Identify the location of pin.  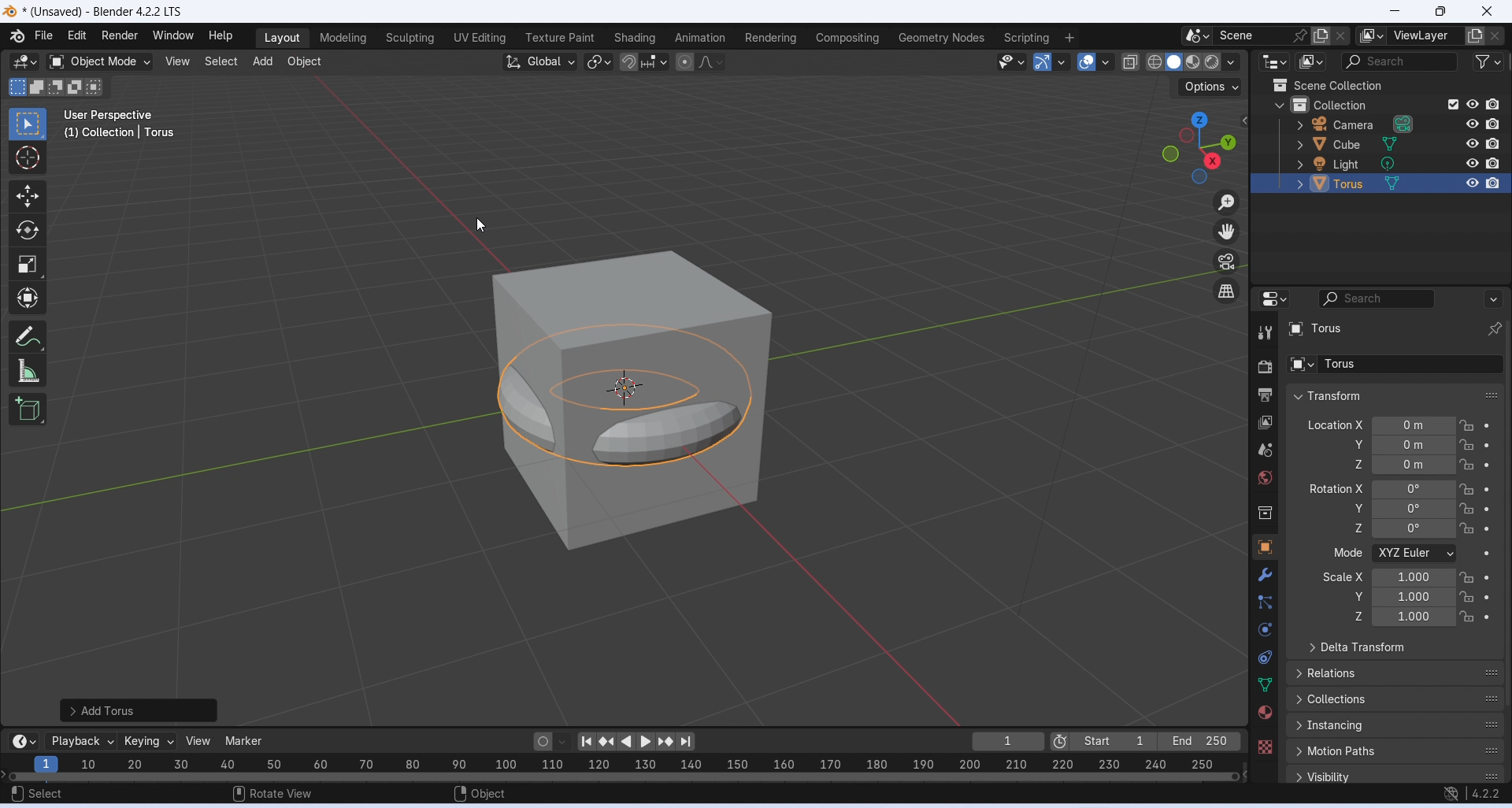
(1298, 35).